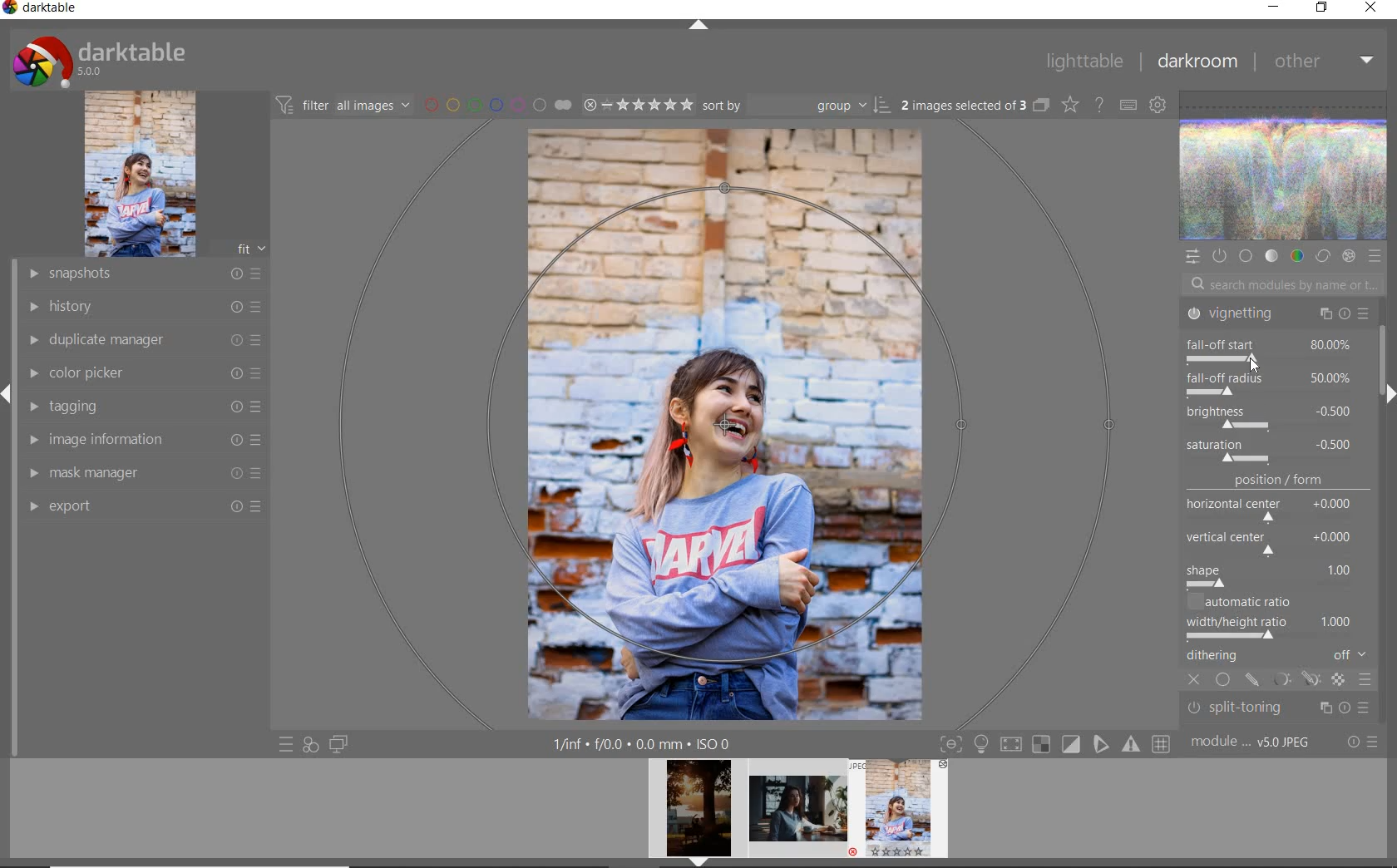 The width and height of the screenshot is (1397, 868). What do you see at coordinates (1069, 104) in the screenshot?
I see `CHANGE TYPE OF OVERLAYS` at bounding box center [1069, 104].